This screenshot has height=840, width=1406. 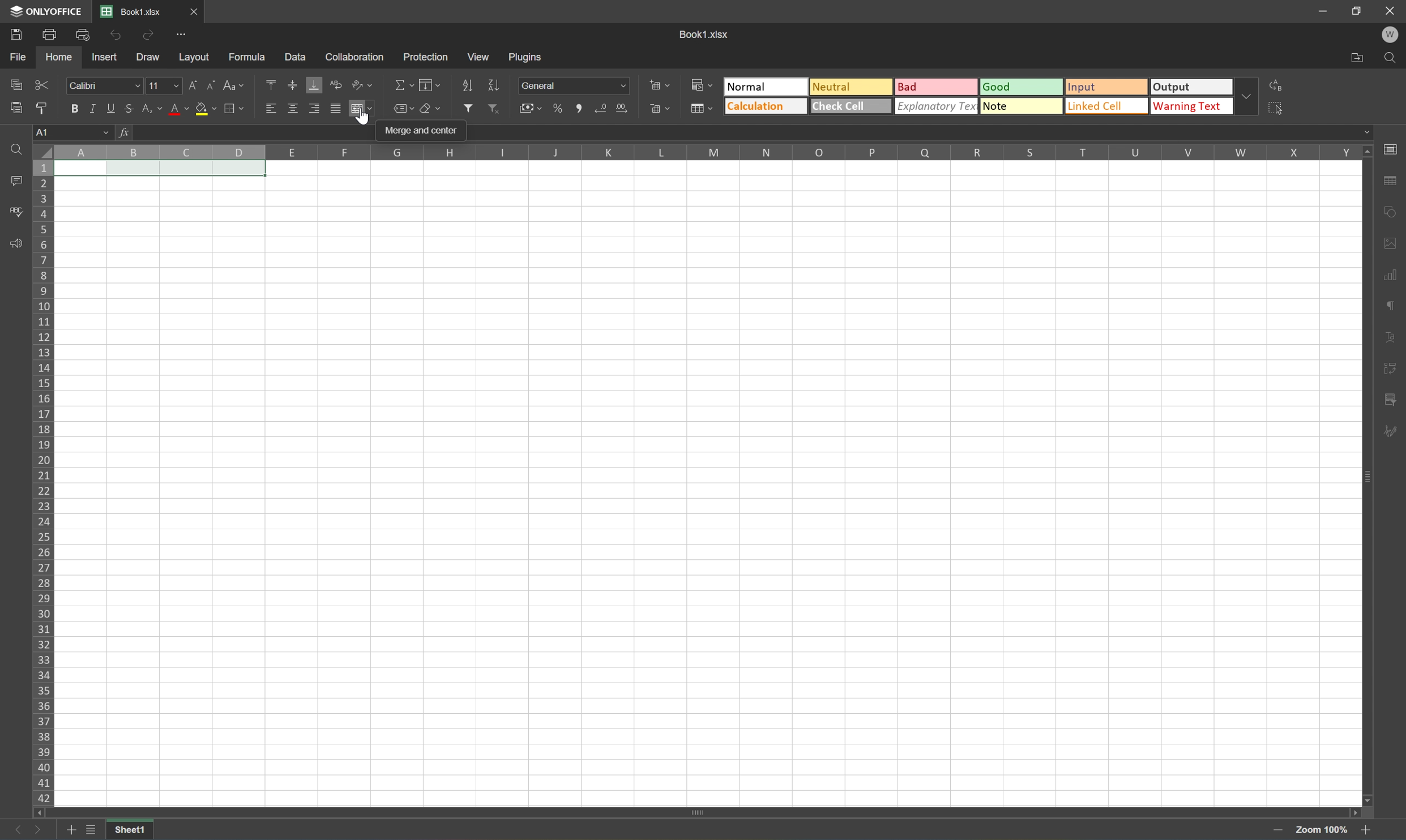 What do you see at coordinates (43, 108) in the screenshot?
I see `Copy style` at bounding box center [43, 108].